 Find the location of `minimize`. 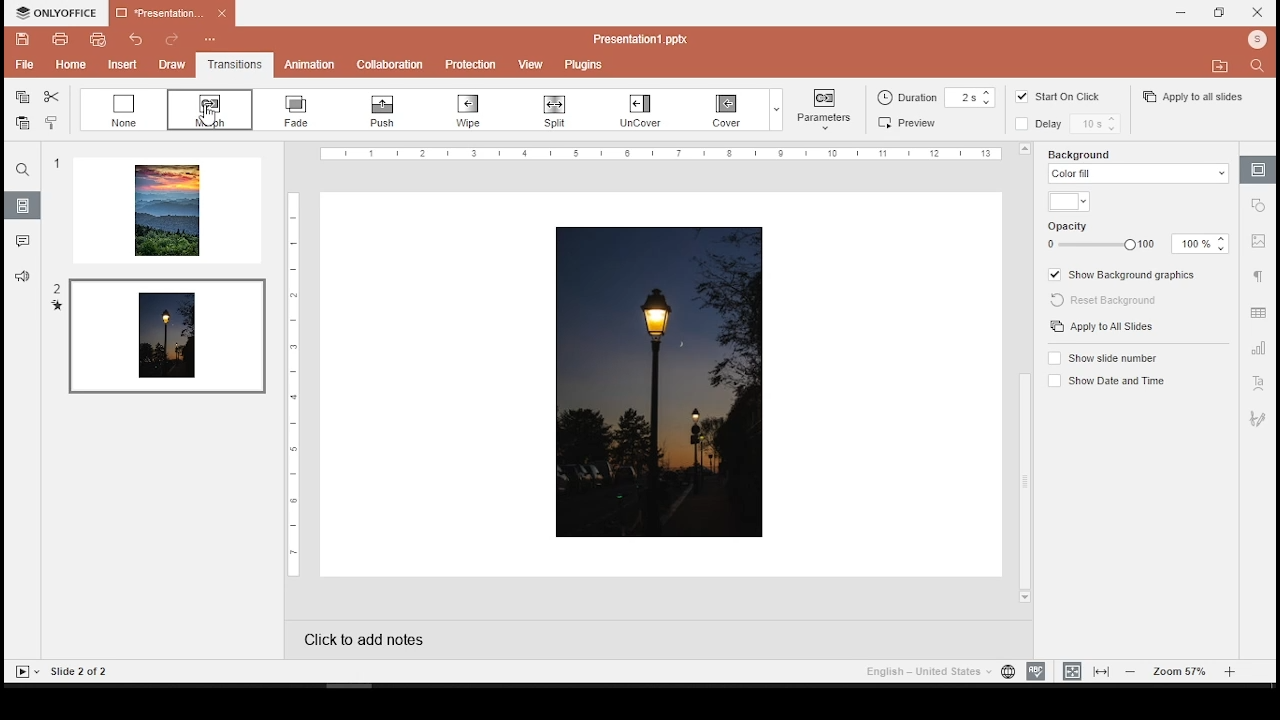

minimize is located at coordinates (1183, 13).